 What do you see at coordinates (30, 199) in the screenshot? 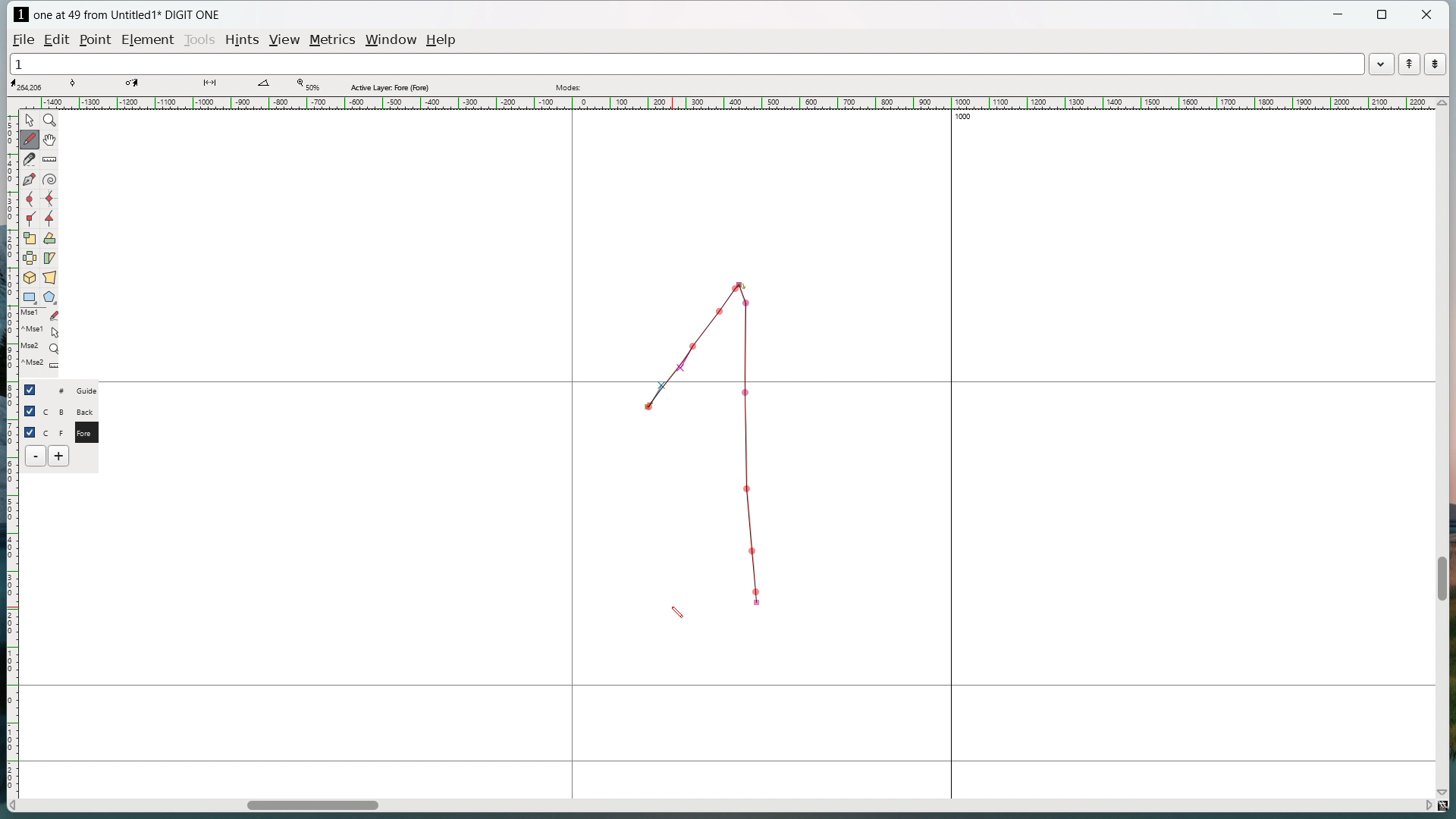
I see `add a curve point` at bounding box center [30, 199].